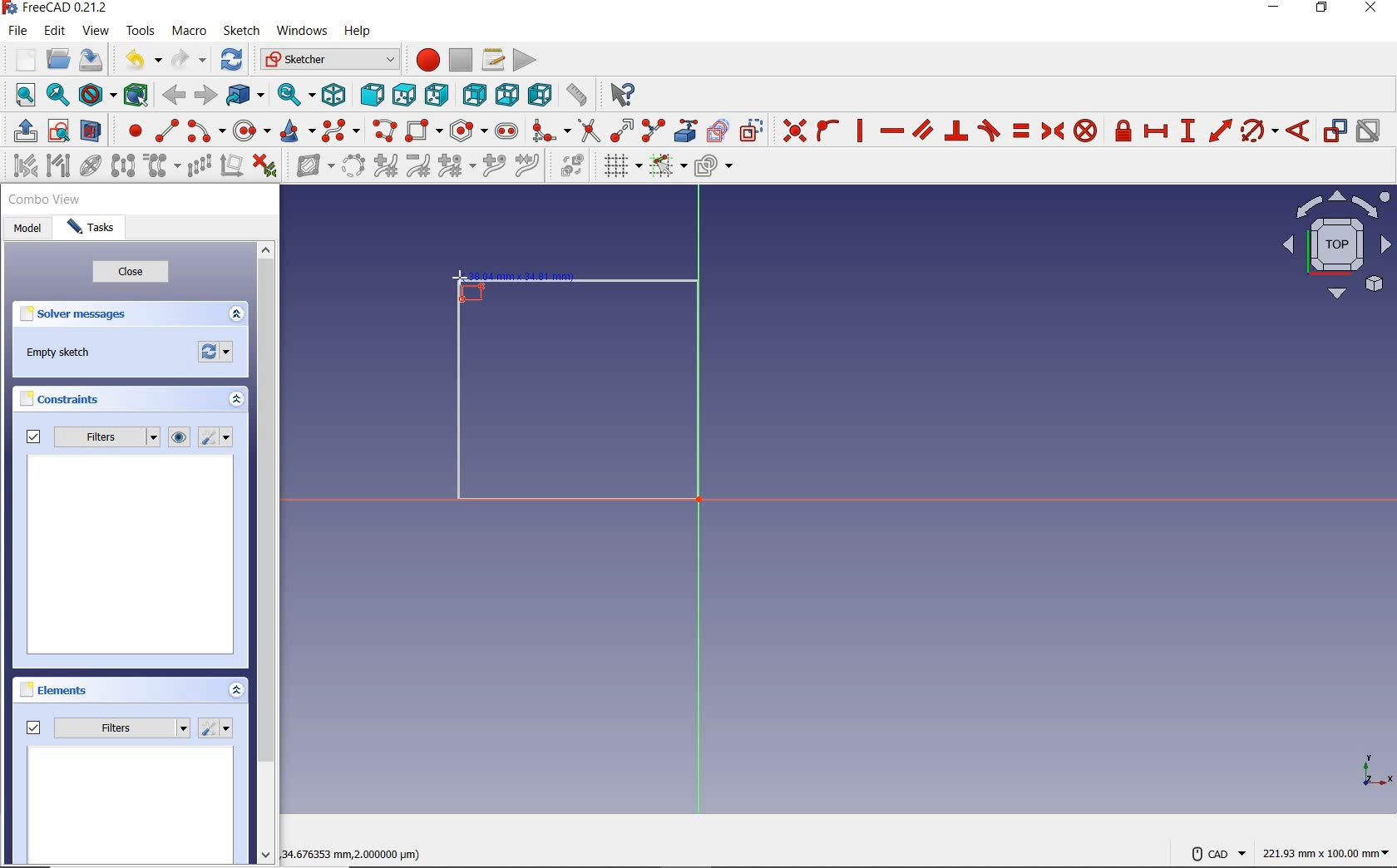 Image resolution: width=1397 pixels, height=868 pixels. I want to click on undo, so click(136, 60).